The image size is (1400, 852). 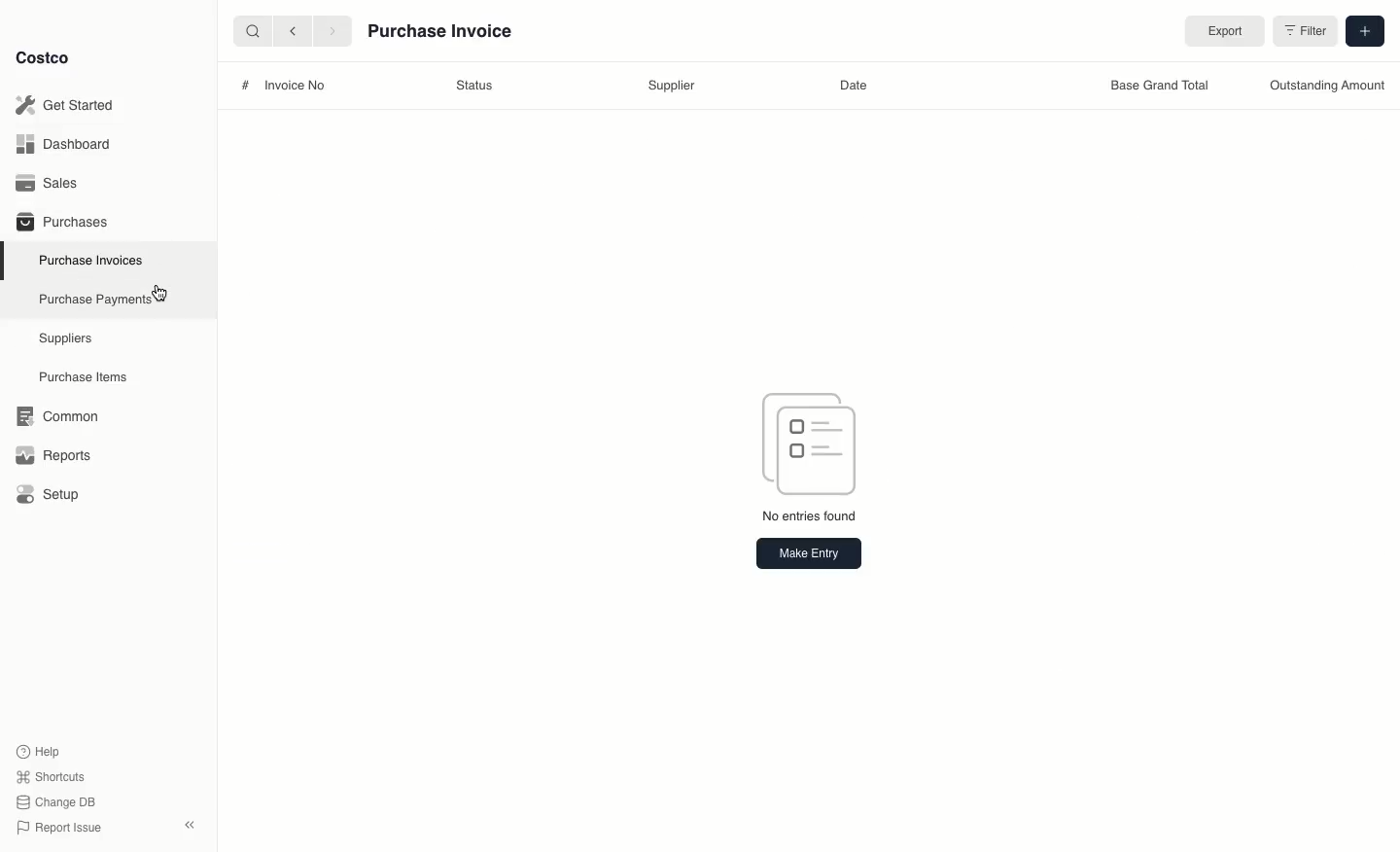 What do you see at coordinates (189, 825) in the screenshot?
I see `collapse` at bounding box center [189, 825].